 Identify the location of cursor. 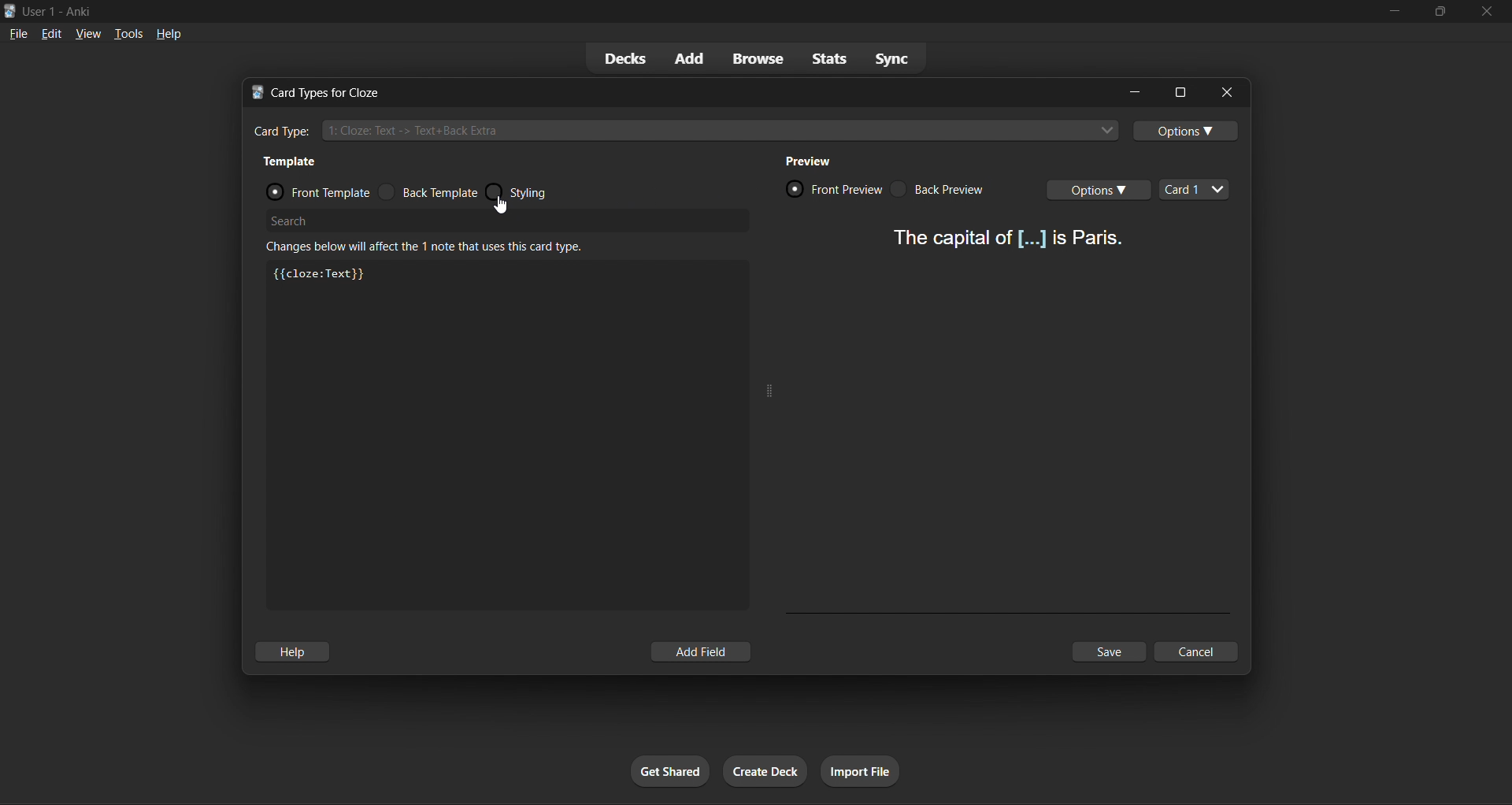
(504, 205).